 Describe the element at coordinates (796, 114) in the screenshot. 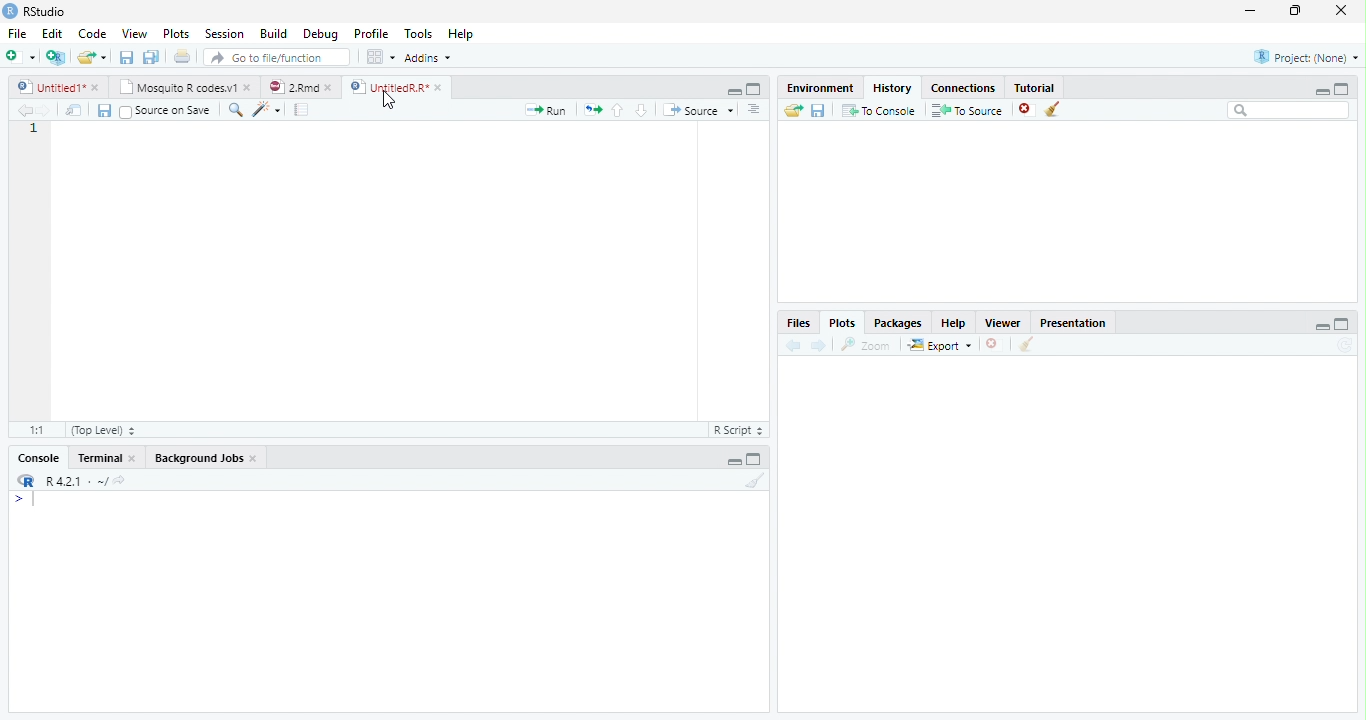

I see `Load Workspace` at that location.